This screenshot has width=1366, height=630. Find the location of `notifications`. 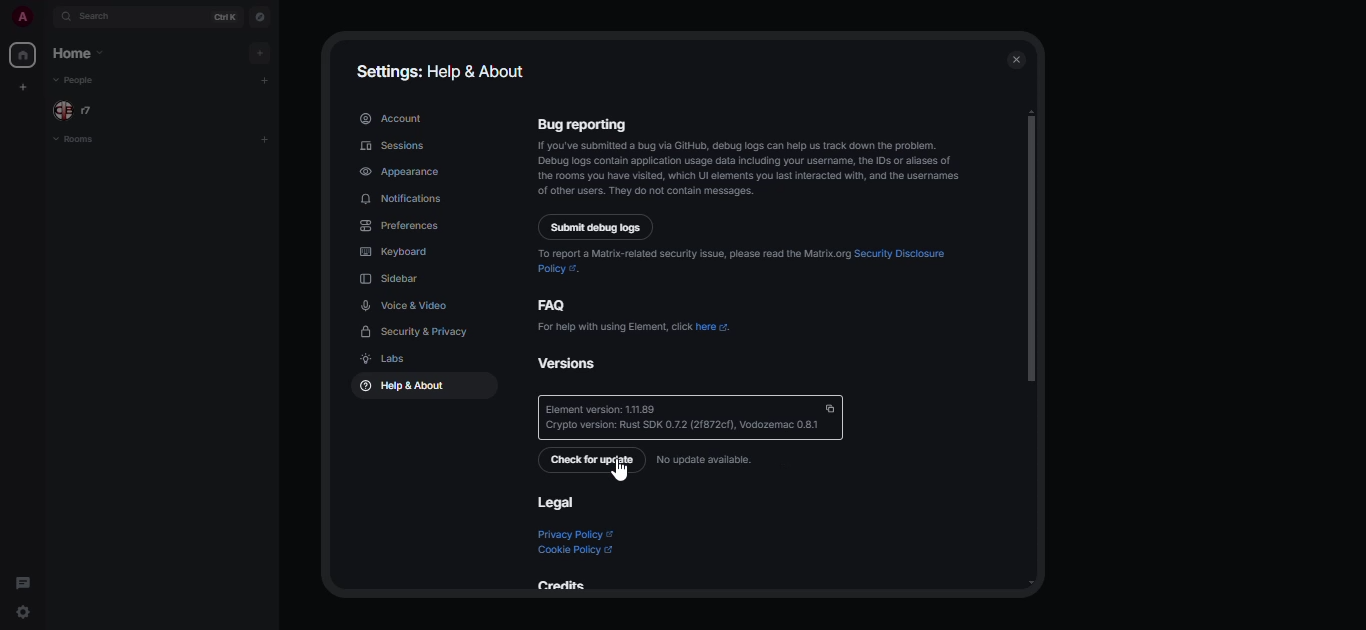

notifications is located at coordinates (404, 199).